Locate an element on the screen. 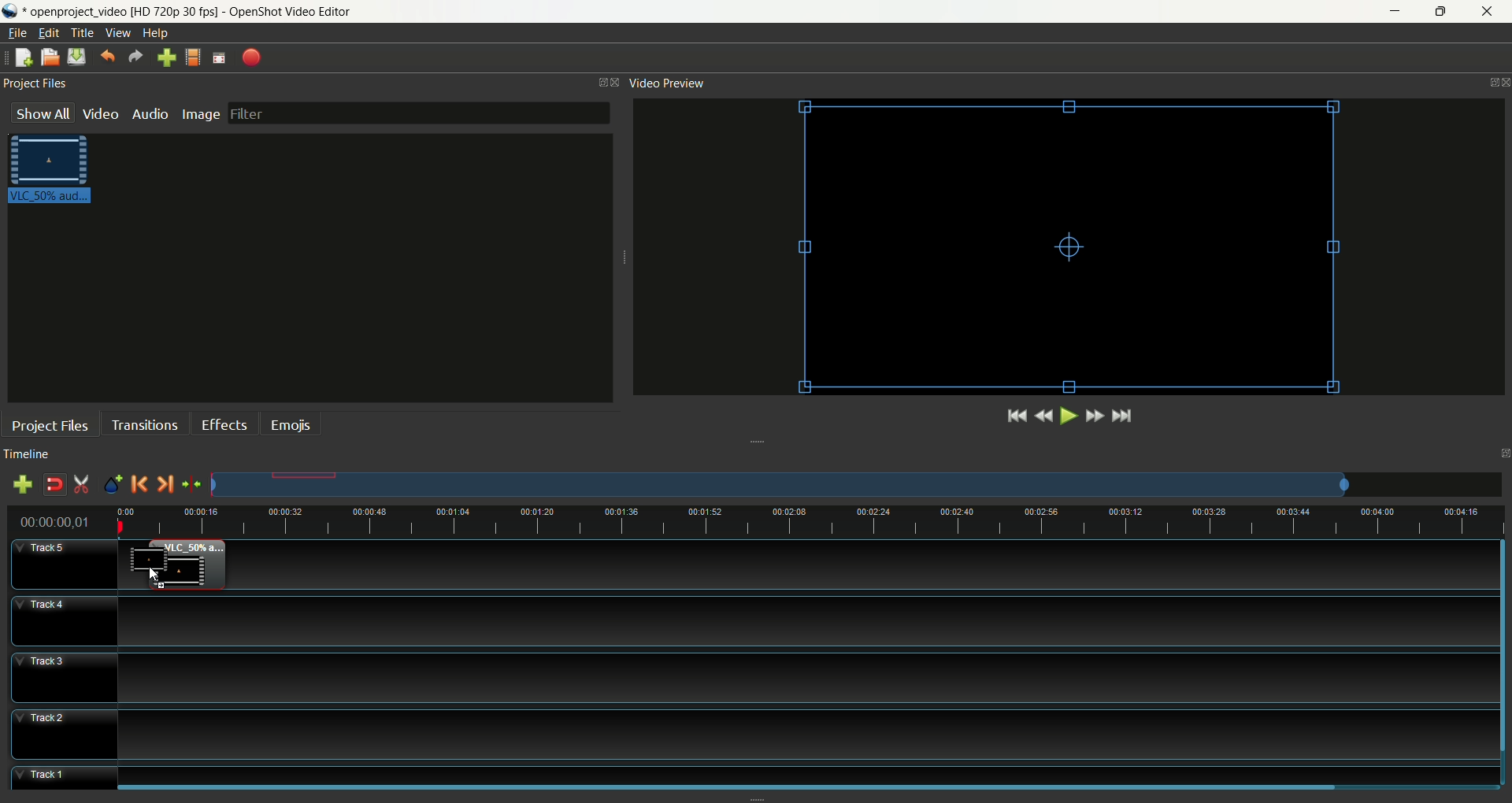  add marker is located at coordinates (112, 483).